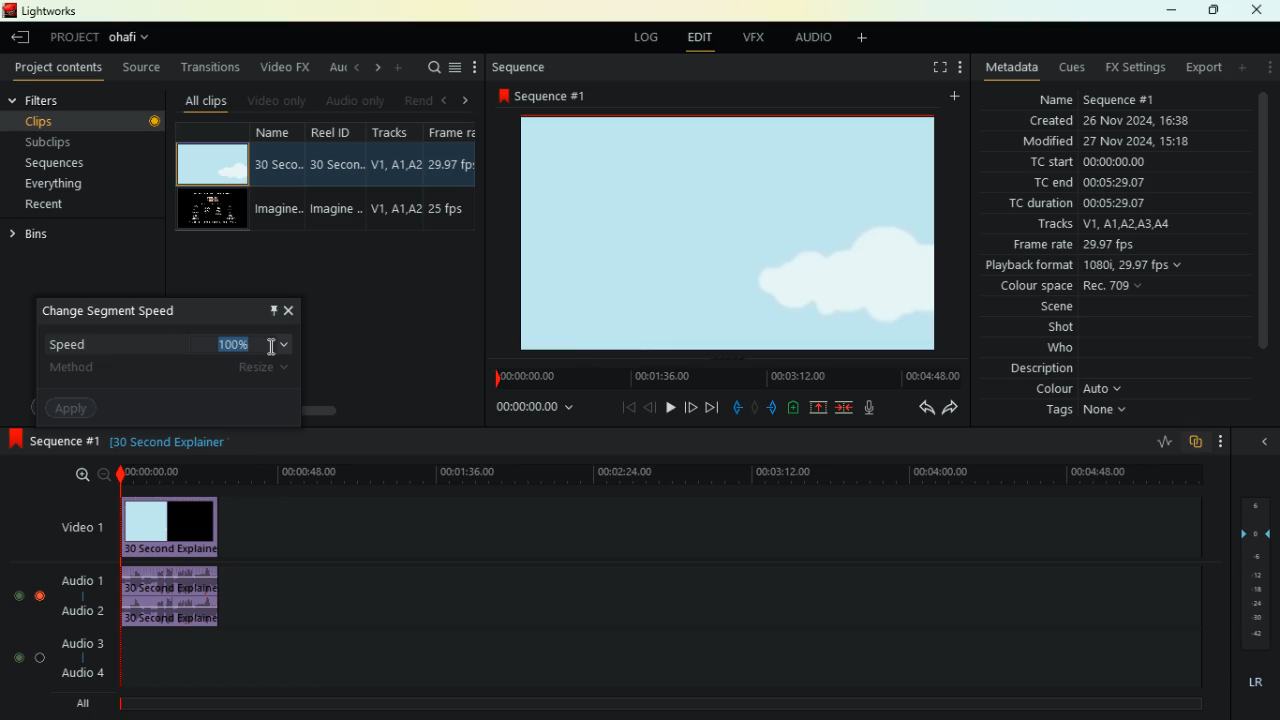 The height and width of the screenshot is (720, 1280). What do you see at coordinates (1244, 67) in the screenshot?
I see `add` at bounding box center [1244, 67].